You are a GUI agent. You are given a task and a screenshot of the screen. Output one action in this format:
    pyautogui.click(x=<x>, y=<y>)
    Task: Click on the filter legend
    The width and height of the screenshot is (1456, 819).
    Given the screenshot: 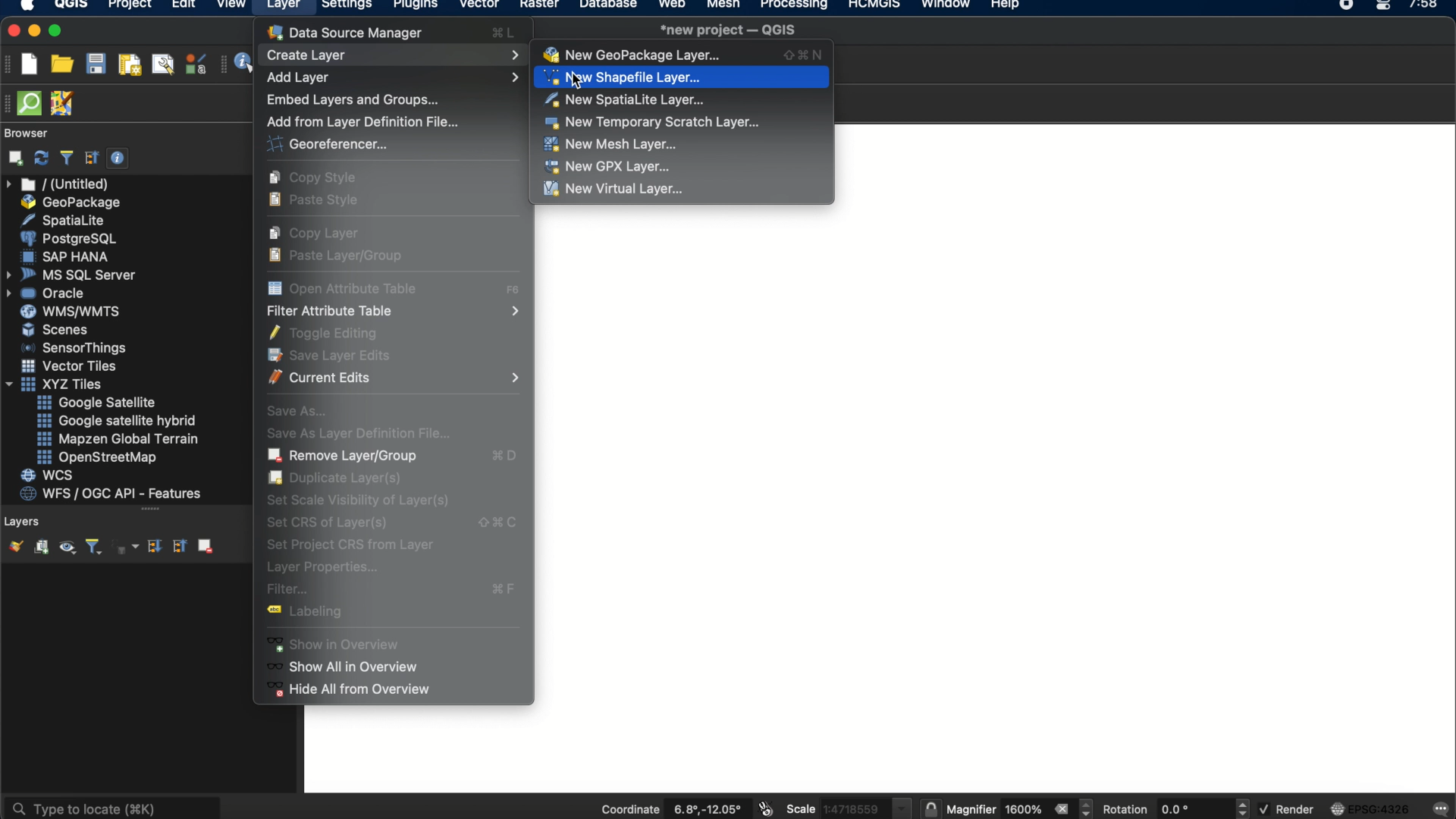 What is the action you would take?
    pyautogui.click(x=93, y=548)
    